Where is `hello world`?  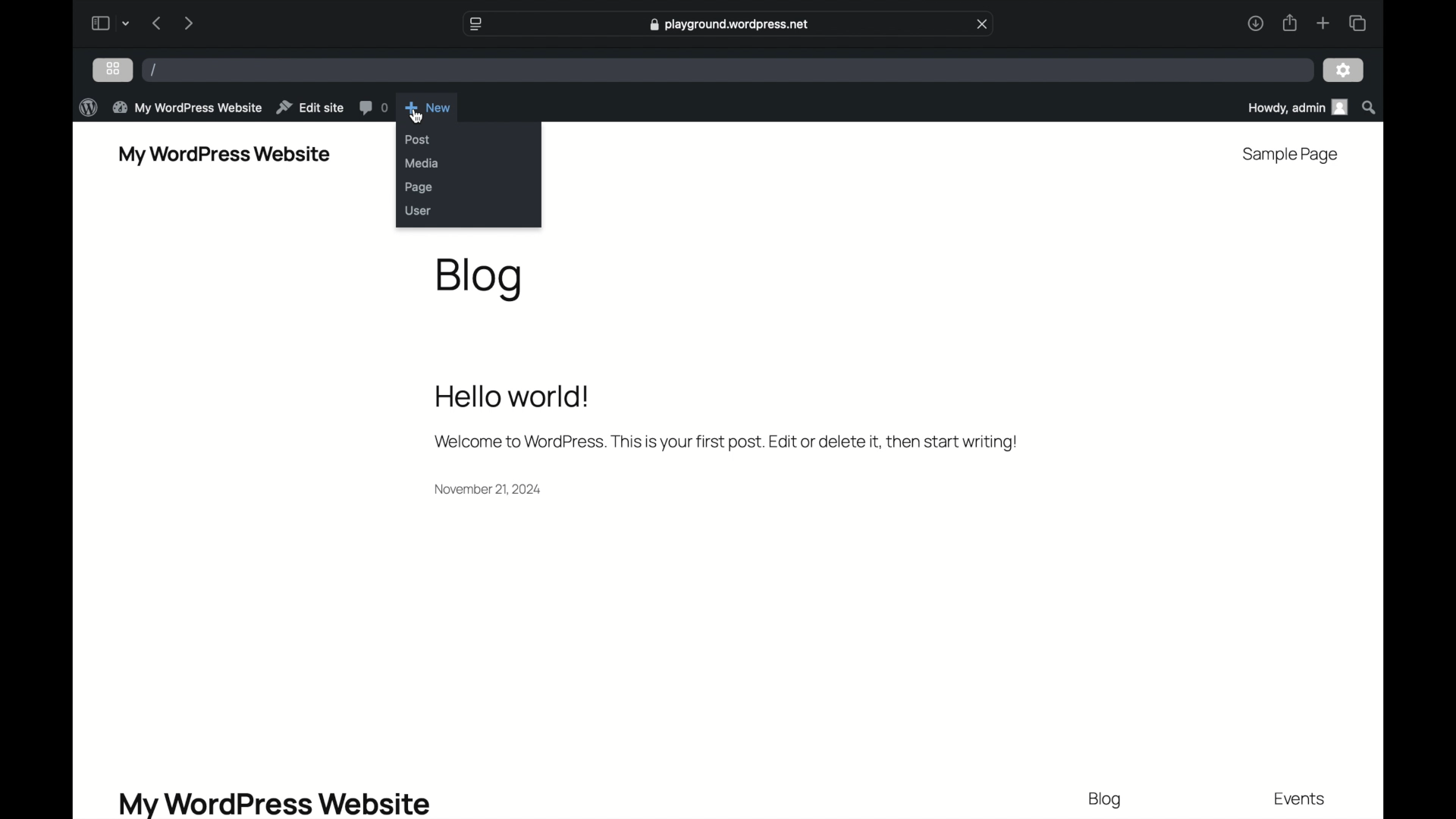
hello world is located at coordinates (513, 397).